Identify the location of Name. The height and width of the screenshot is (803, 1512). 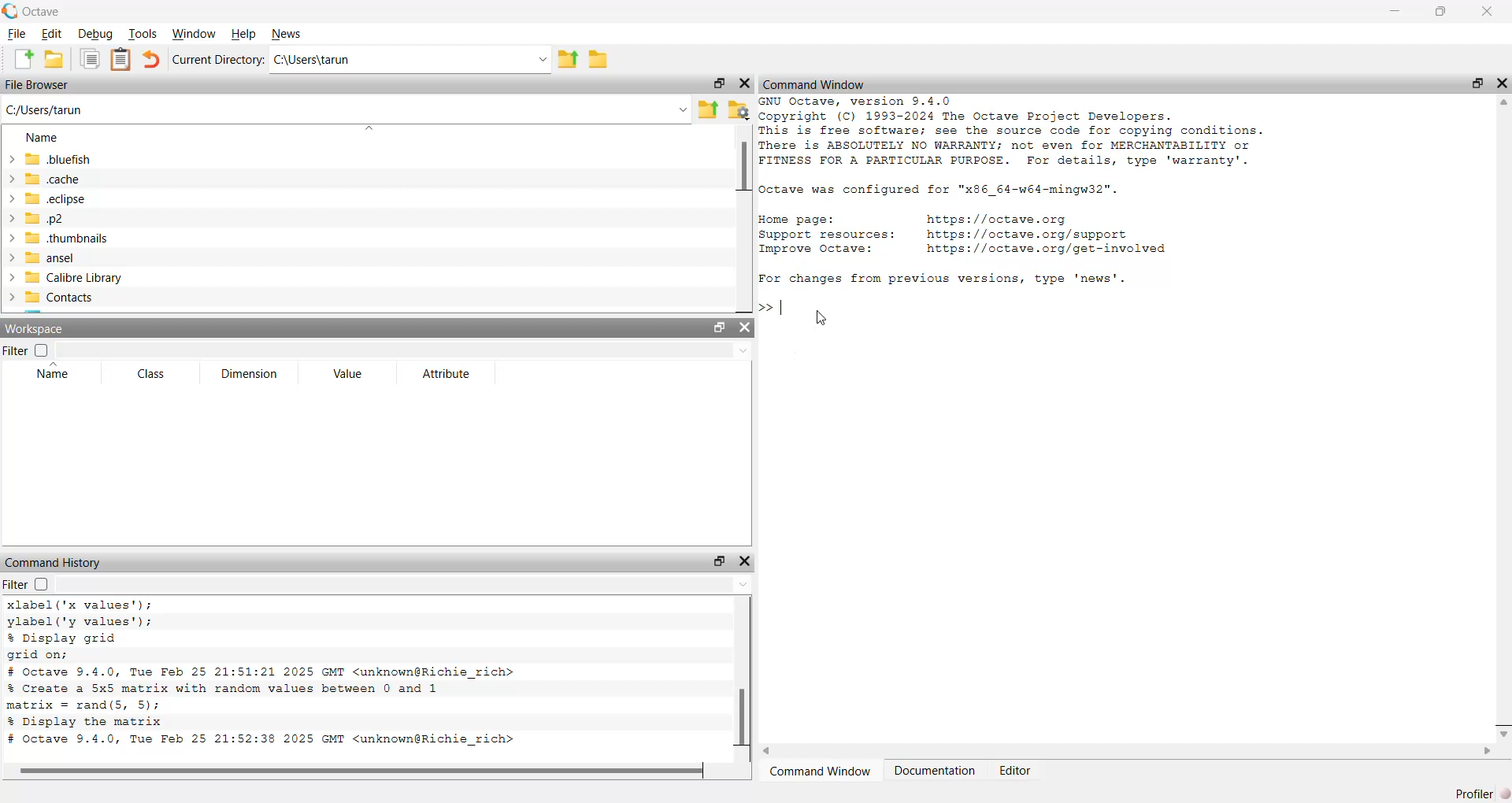
(55, 375).